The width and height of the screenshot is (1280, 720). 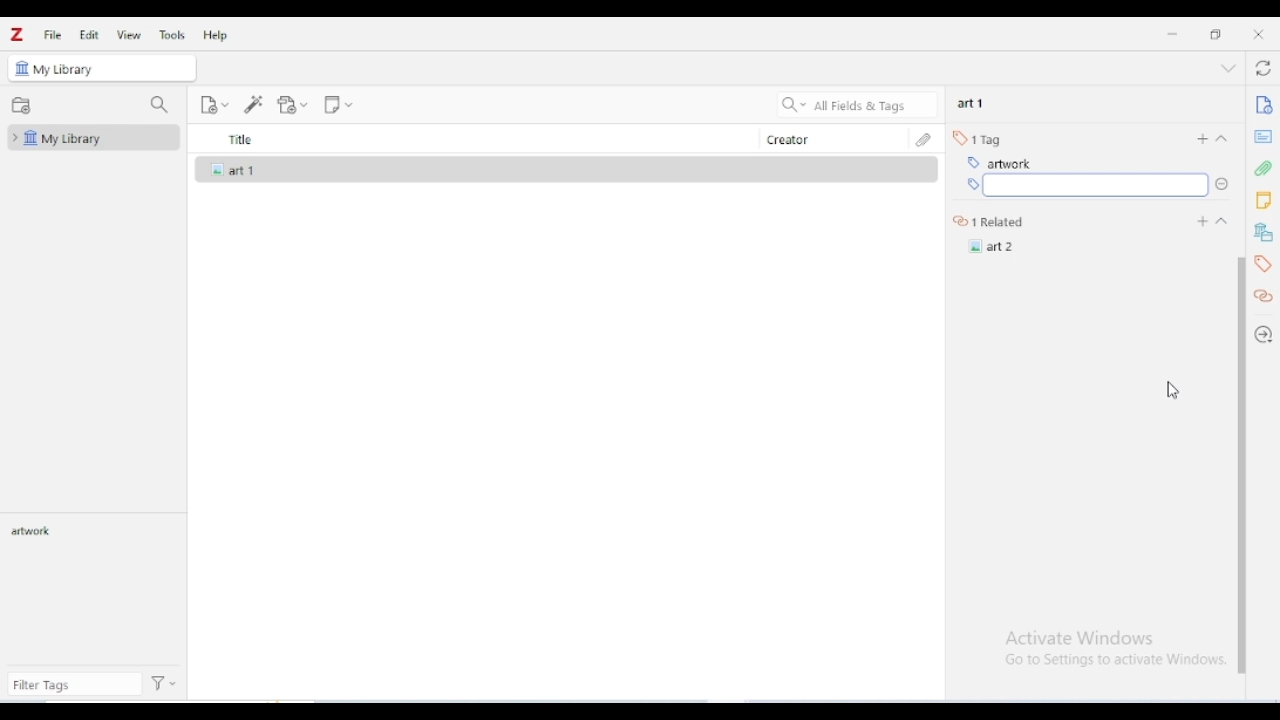 What do you see at coordinates (1104, 647) in the screenshot?
I see `Windows activation prompt` at bounding box center [1104, 647].